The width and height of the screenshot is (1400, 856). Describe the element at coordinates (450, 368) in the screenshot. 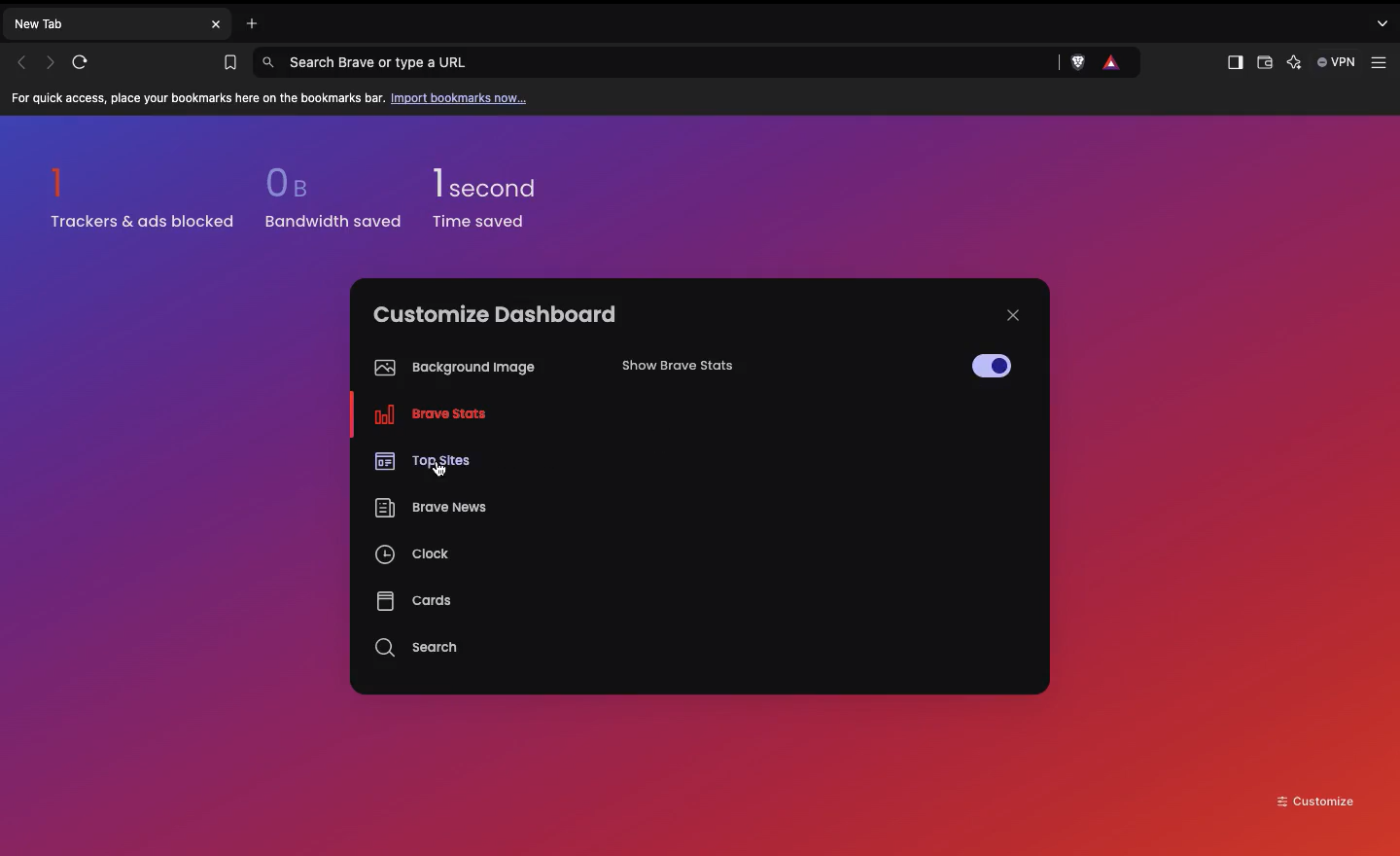

I see `Background image` at that location.